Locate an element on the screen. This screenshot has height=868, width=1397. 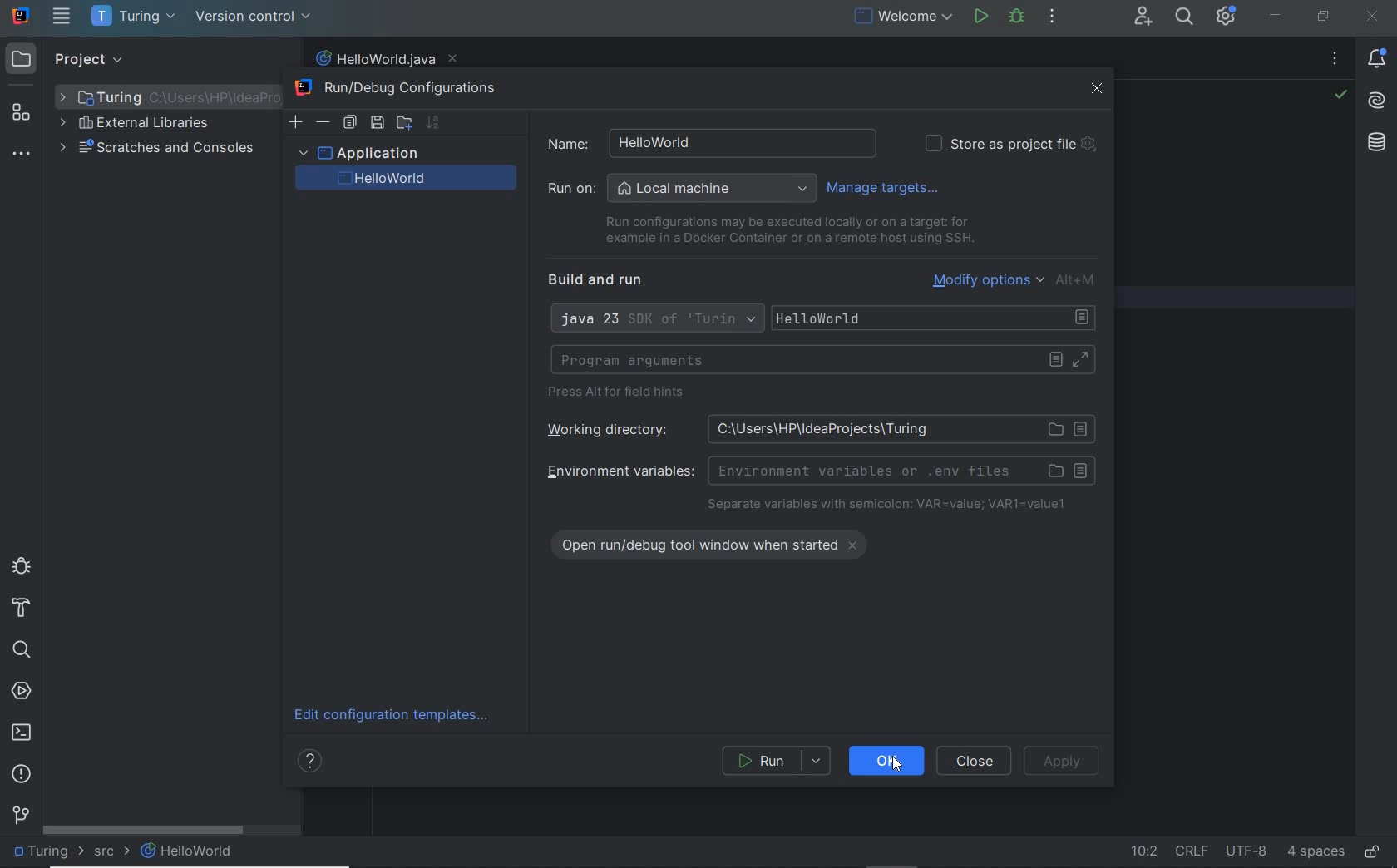
search everywhere is located at coordinates (1185, 18).